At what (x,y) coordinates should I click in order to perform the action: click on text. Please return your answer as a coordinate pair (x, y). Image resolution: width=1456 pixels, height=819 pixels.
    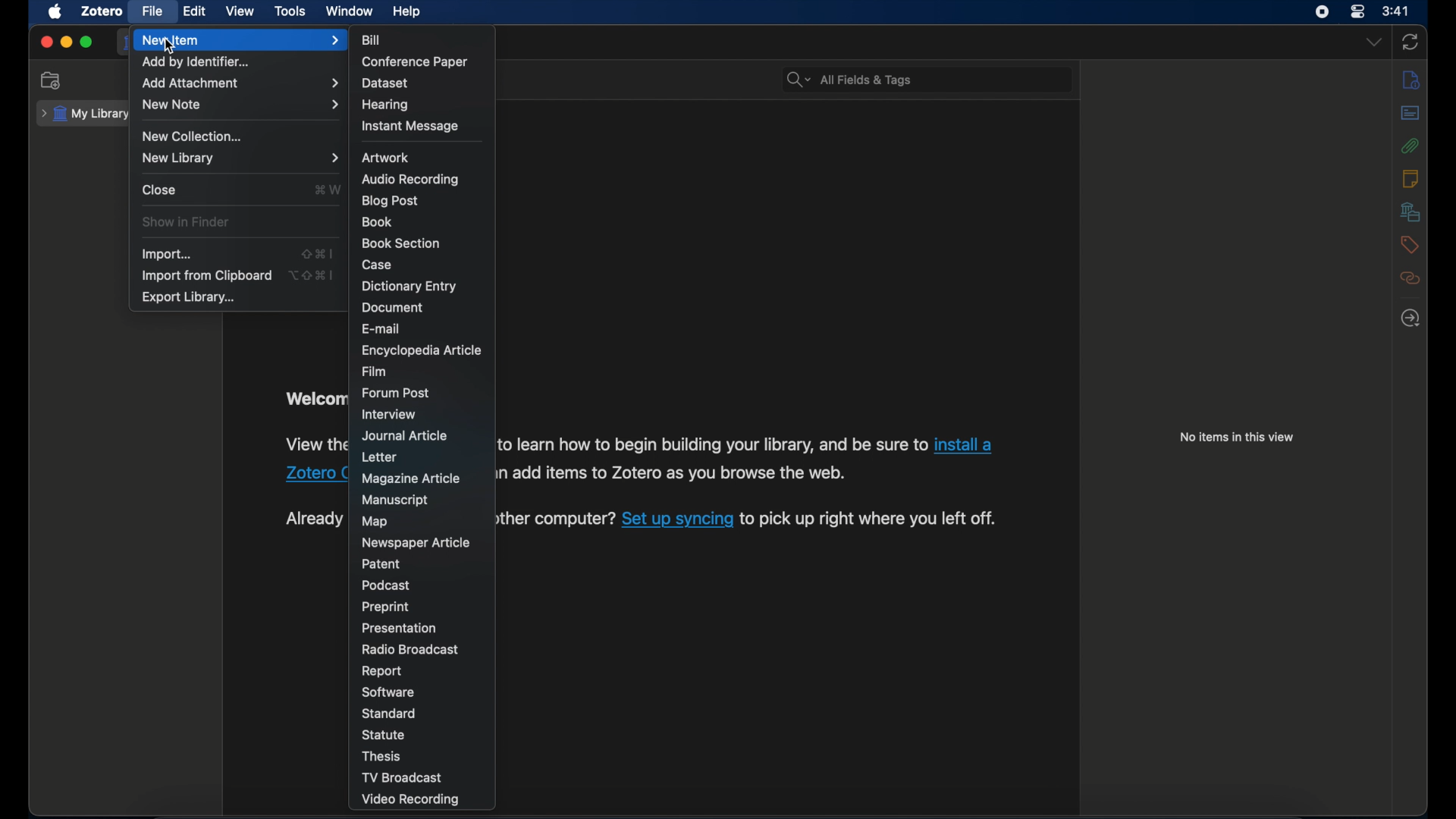
    Looking at the image, I should click on (675, 475).